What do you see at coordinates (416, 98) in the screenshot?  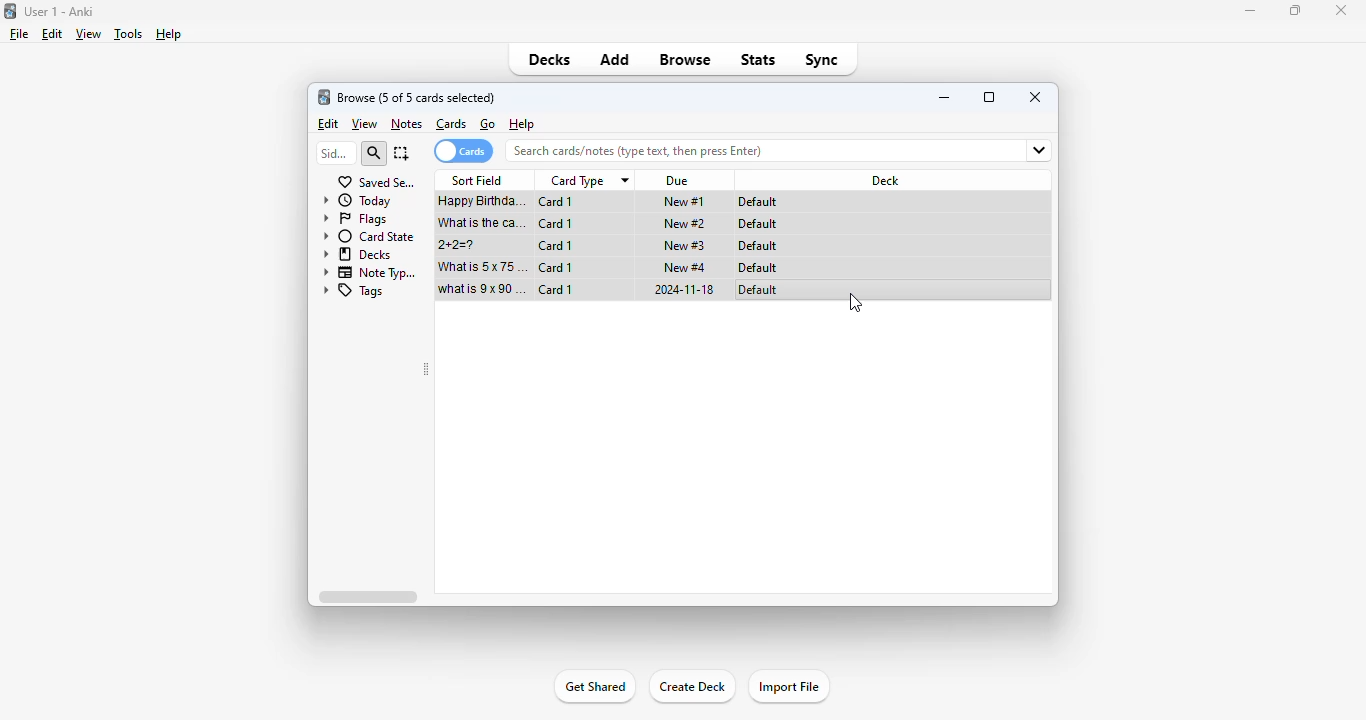 I see `browse (1 of 5 cards selected)` at bounding box center [416, 98].